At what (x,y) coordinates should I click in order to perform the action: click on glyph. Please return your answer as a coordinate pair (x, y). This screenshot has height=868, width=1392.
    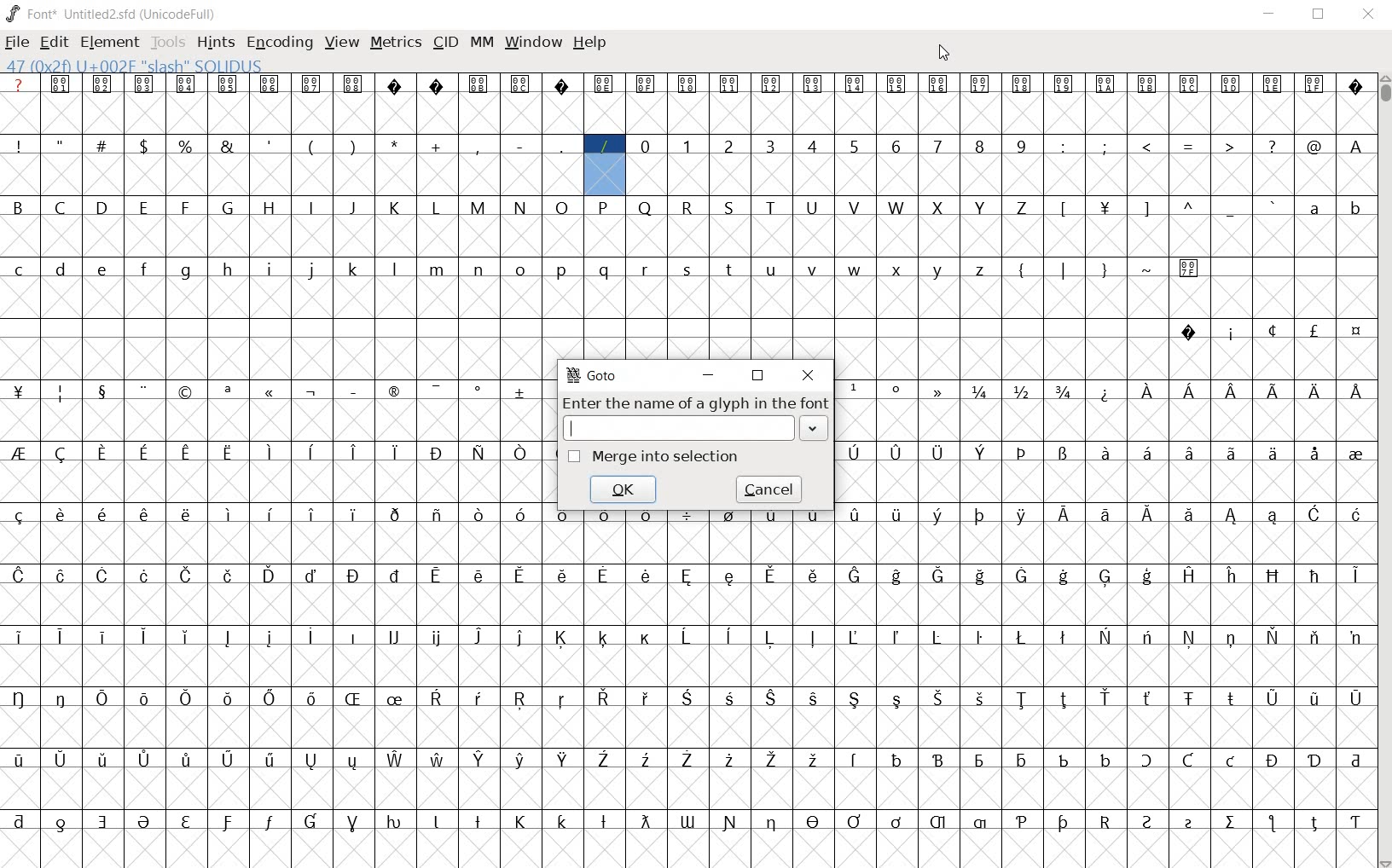
    Looking at the image, I should click on (354, 84).